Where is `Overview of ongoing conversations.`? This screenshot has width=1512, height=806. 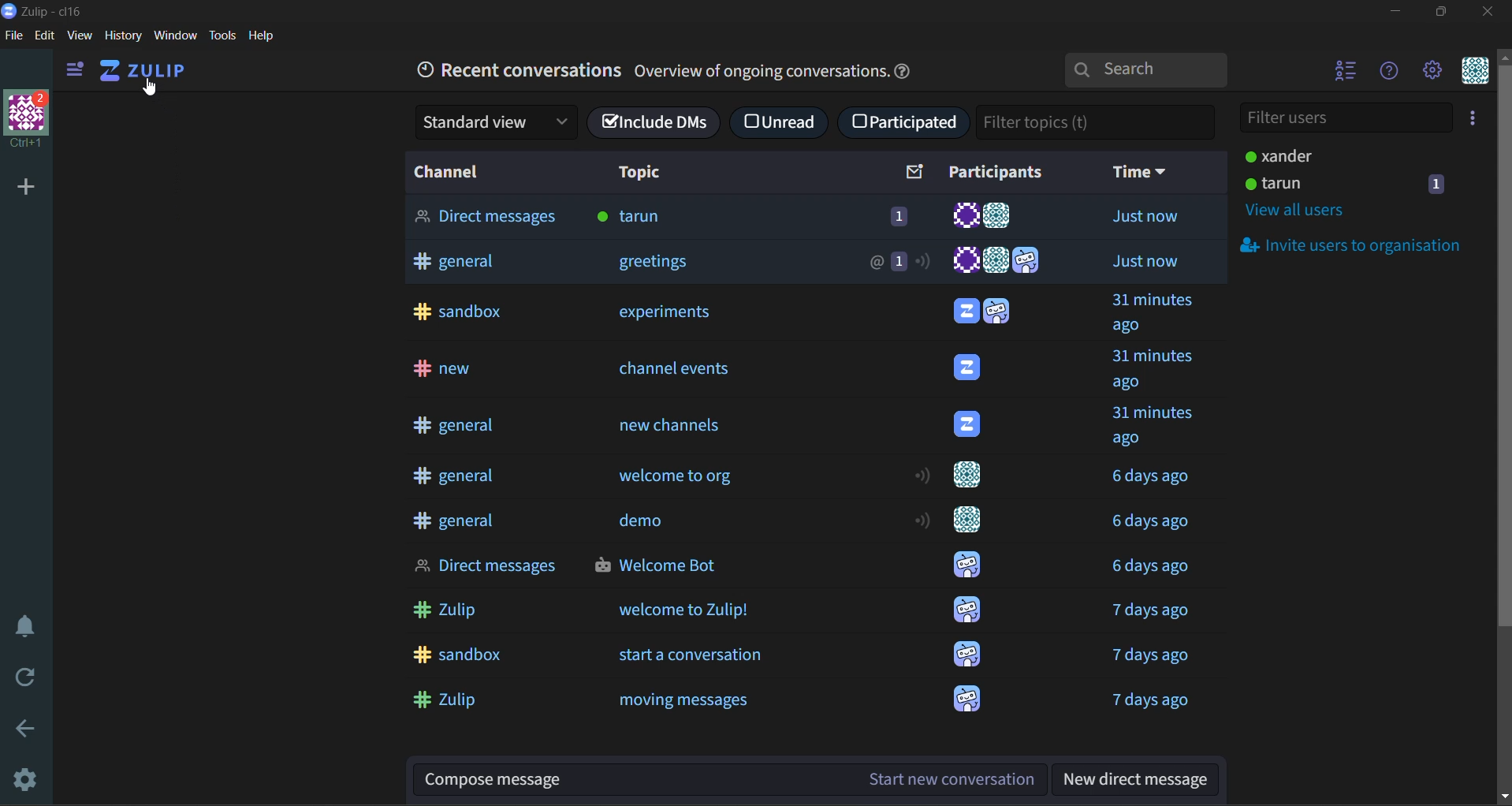
Overview of ongoing conversations. is located at coordinates (760, 74).